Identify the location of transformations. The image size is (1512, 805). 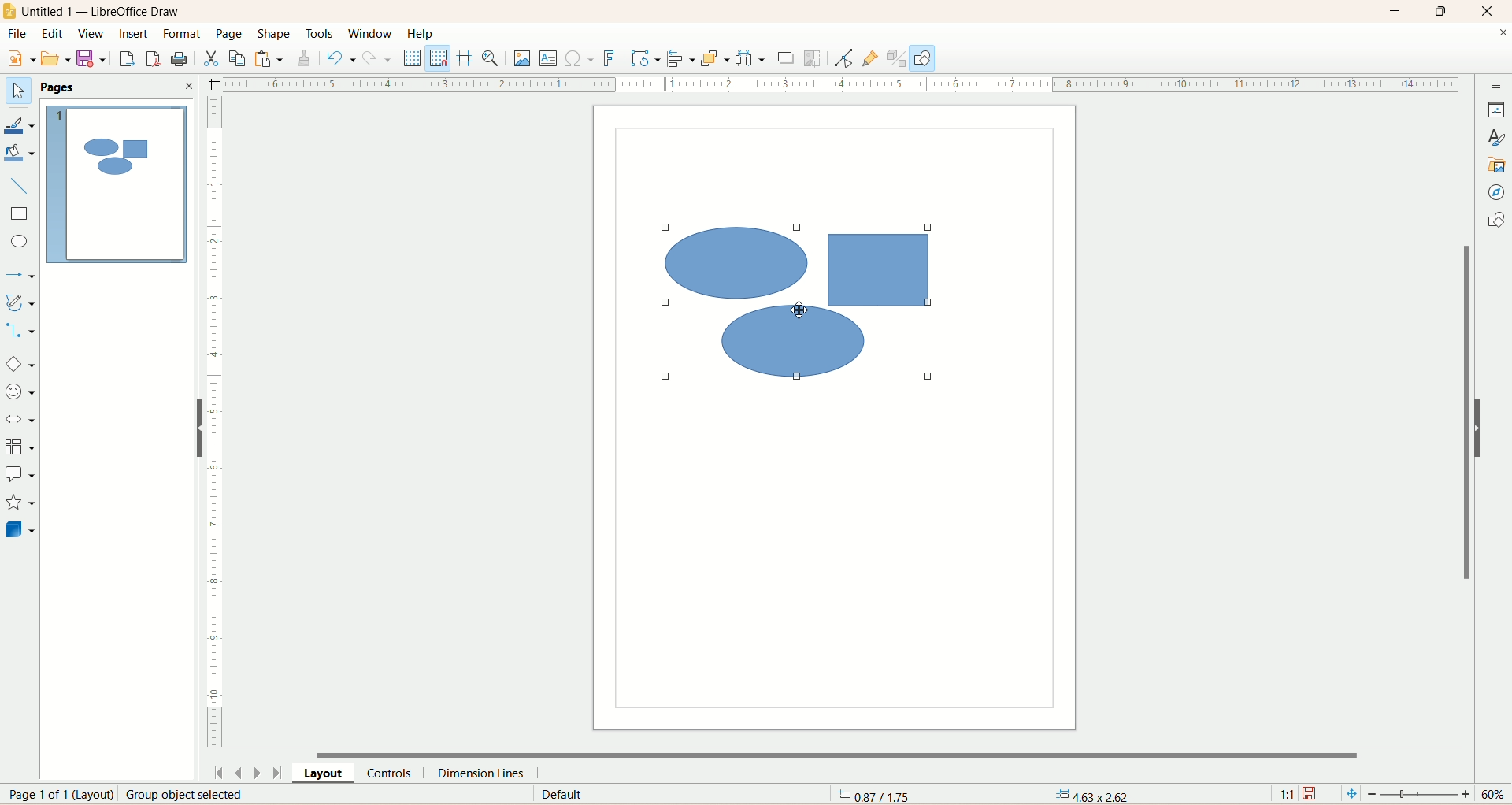
(647, 61).